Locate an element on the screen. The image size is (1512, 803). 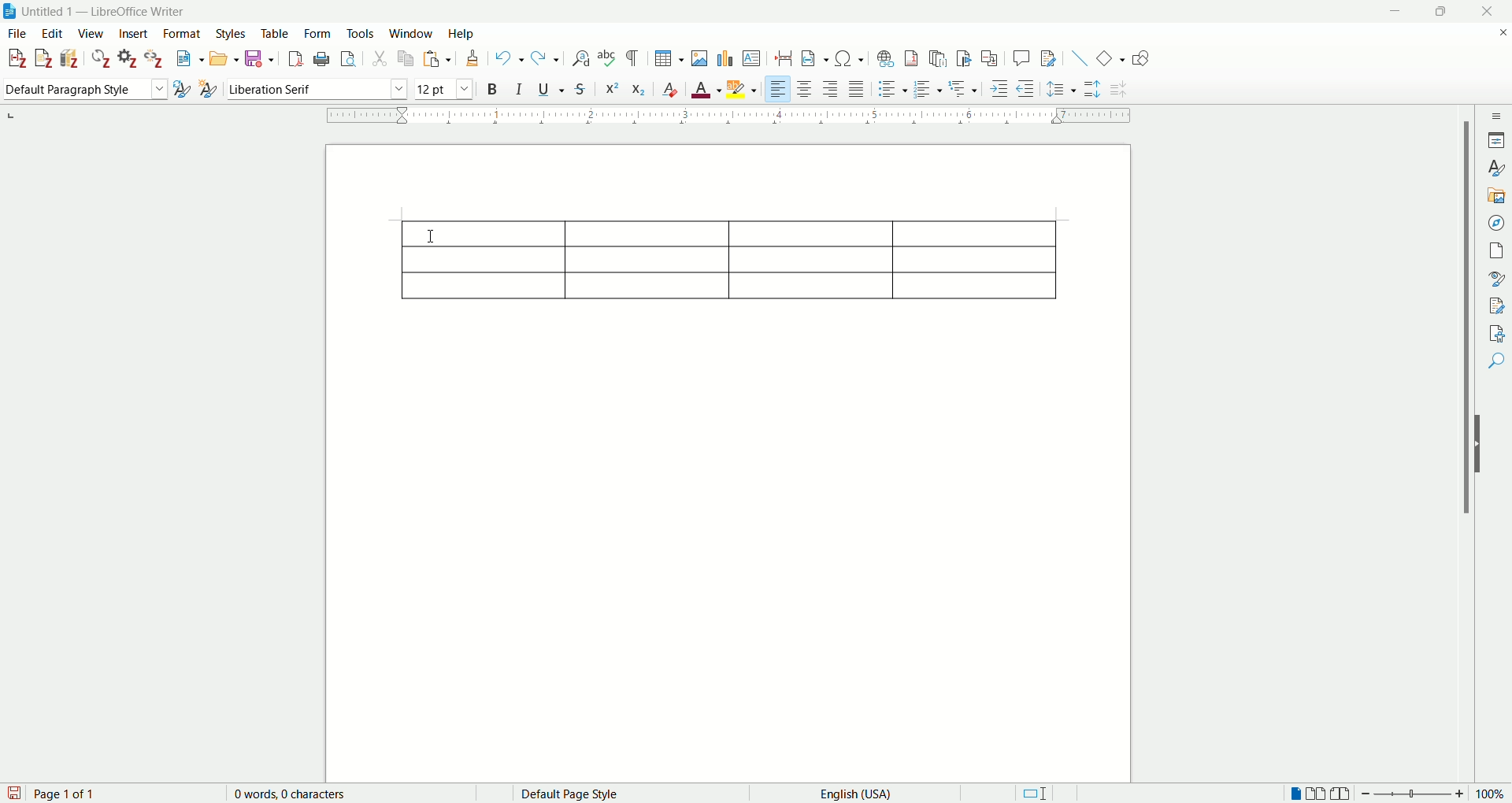
ruler bar is located at coordinates (728, 118).